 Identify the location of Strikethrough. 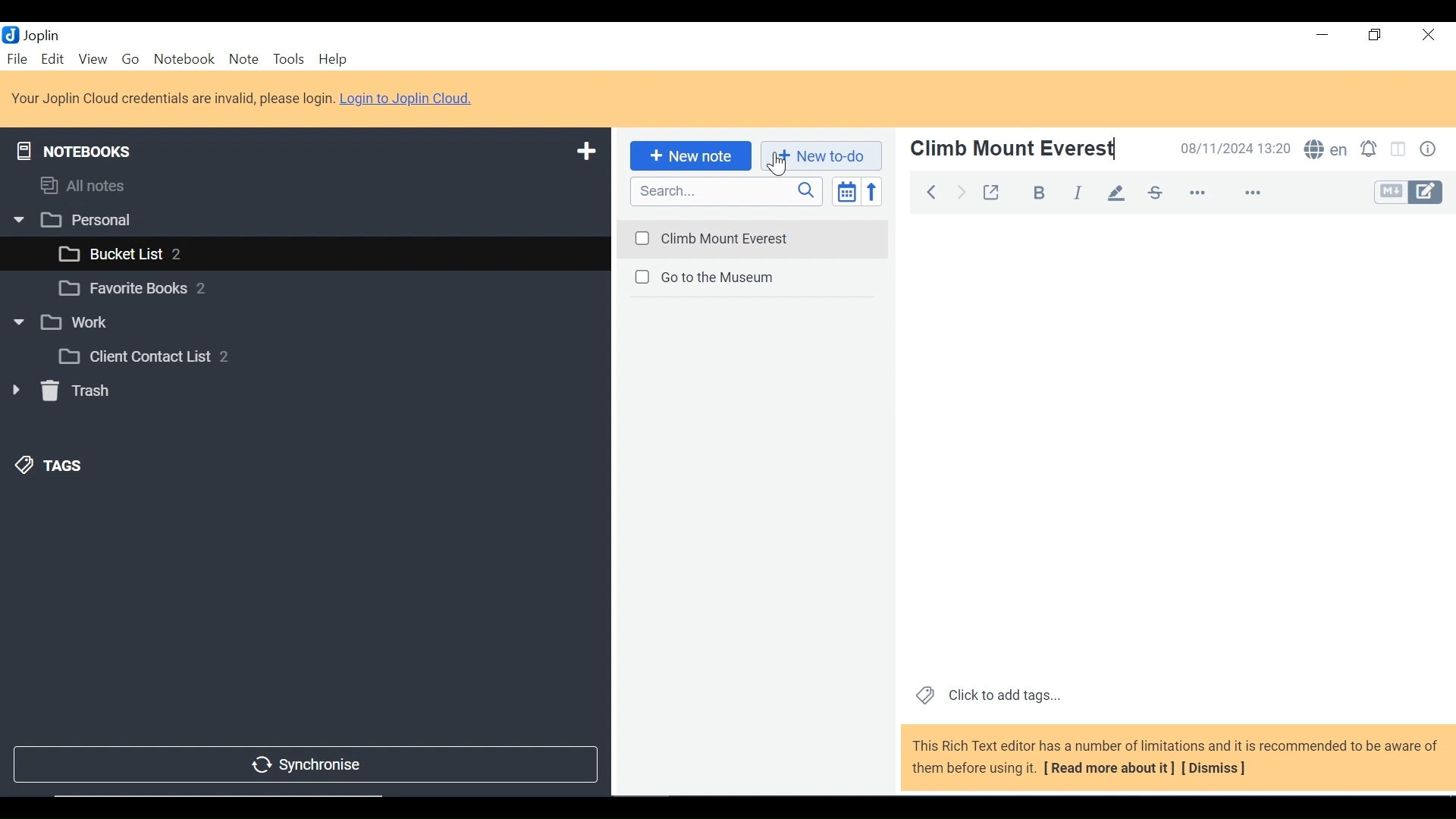
(1154, 192).